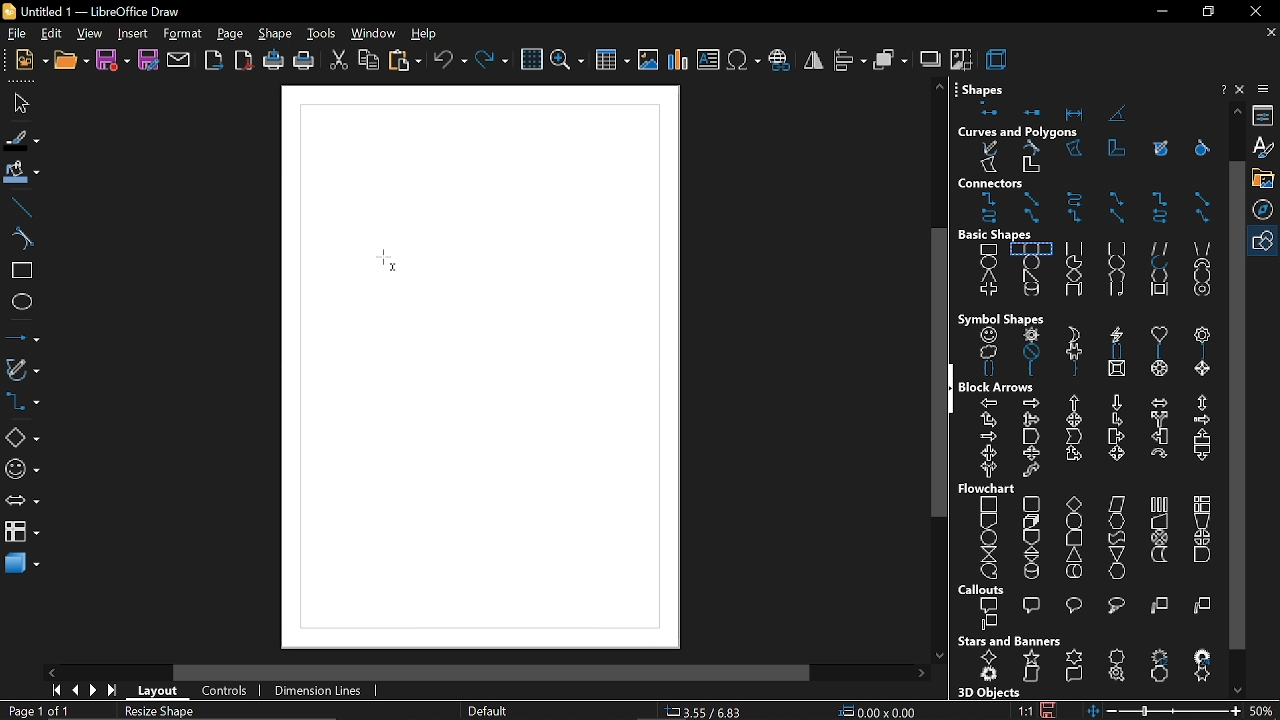 Image resolution: width=1280 pixels, height=720 pixels. I want to click on page style, so click(486, 712).